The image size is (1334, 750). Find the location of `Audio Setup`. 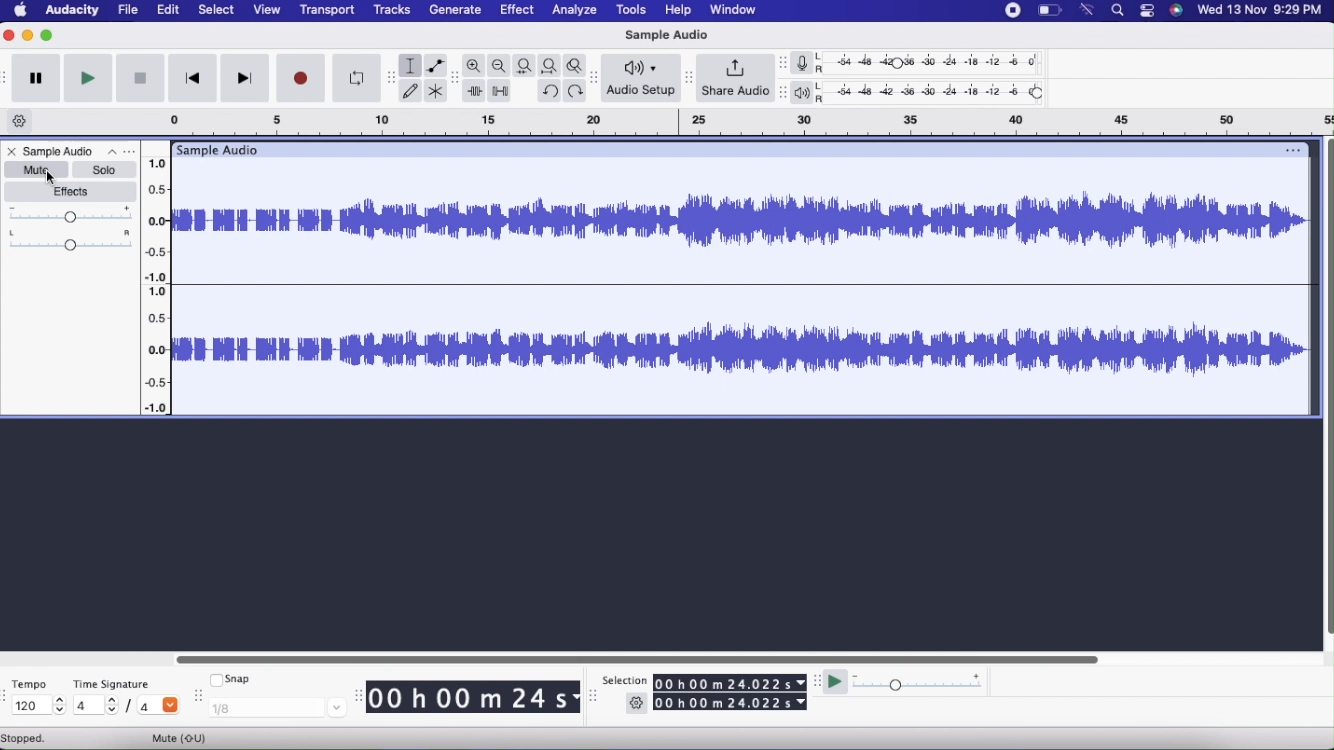

Audio Setup is located at coordinates (638, 78).